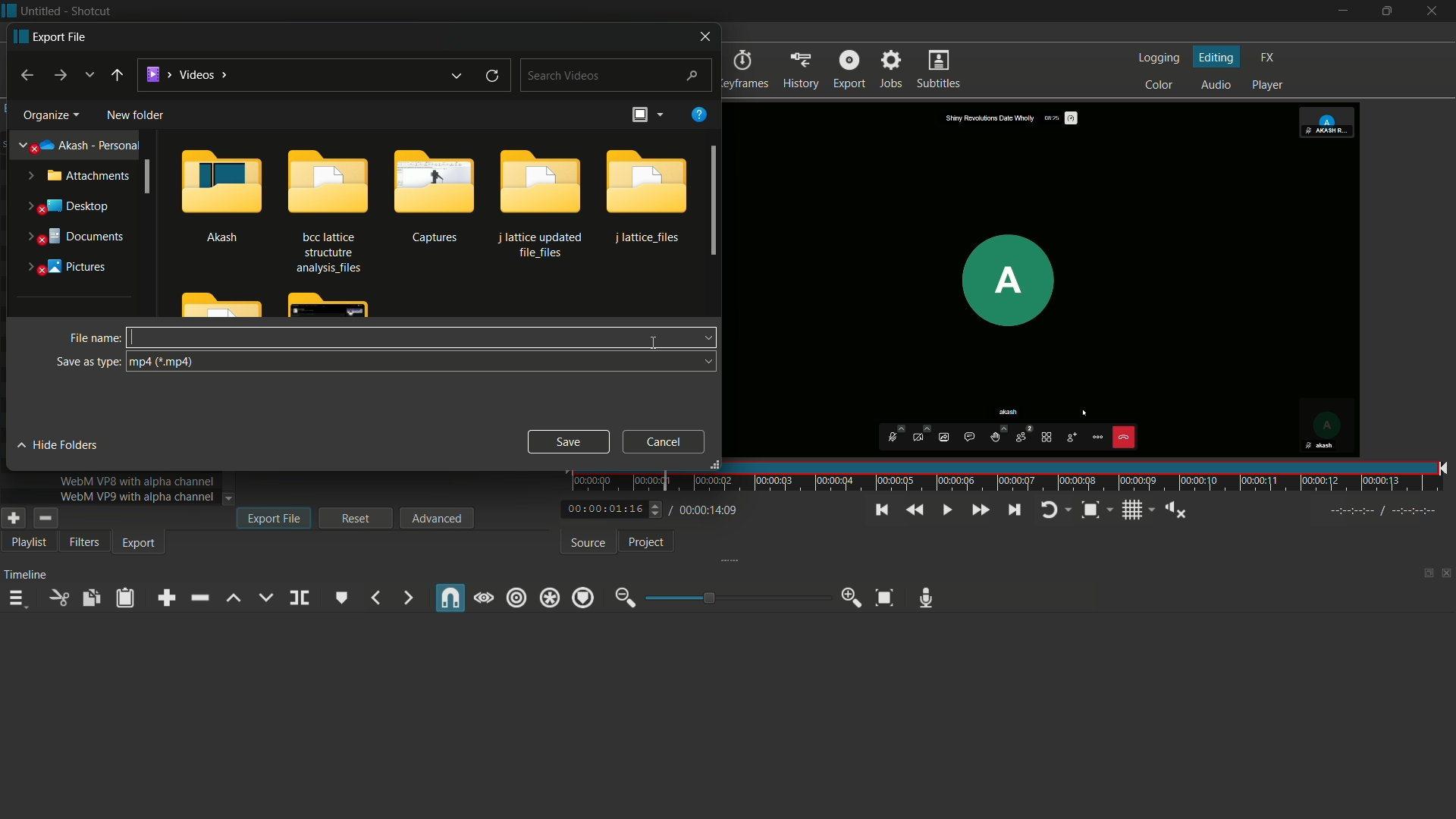  Describe the element at coordinates (703, 36) in the screenshot. I see `close window` at that location.